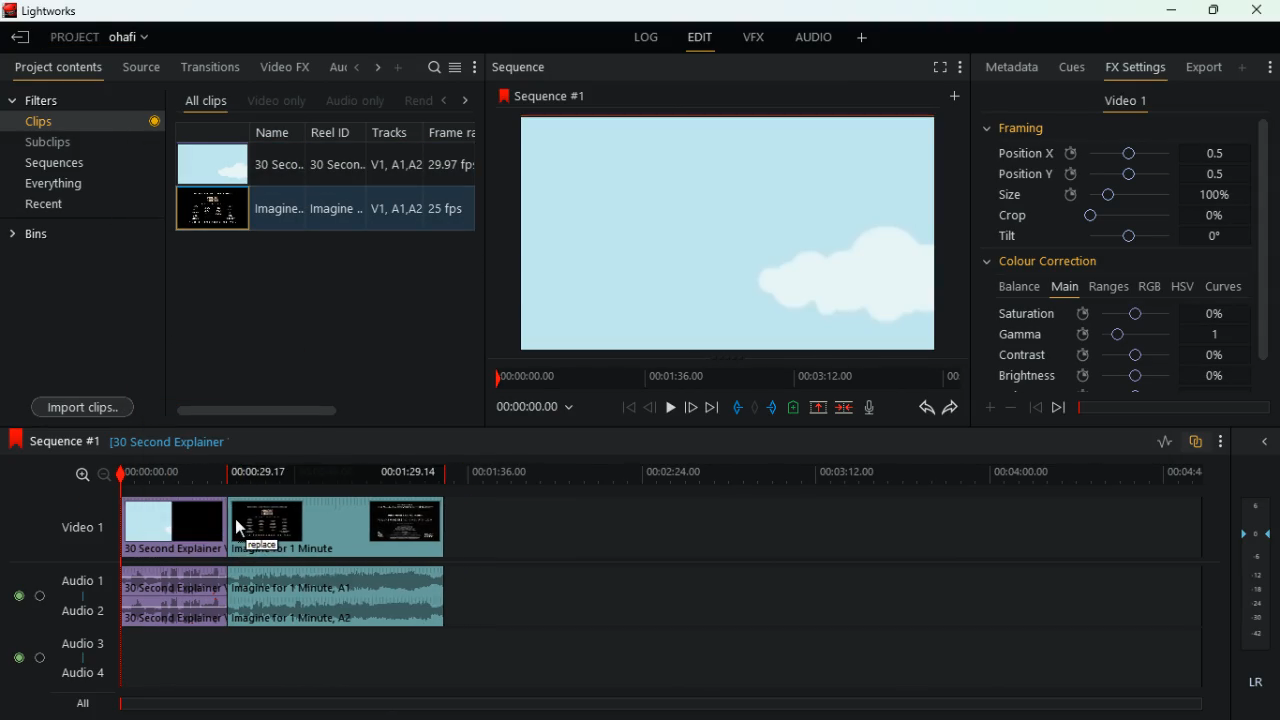 This screenshot has width=1280, height=720. I want to click on menu, so click(455, 67).